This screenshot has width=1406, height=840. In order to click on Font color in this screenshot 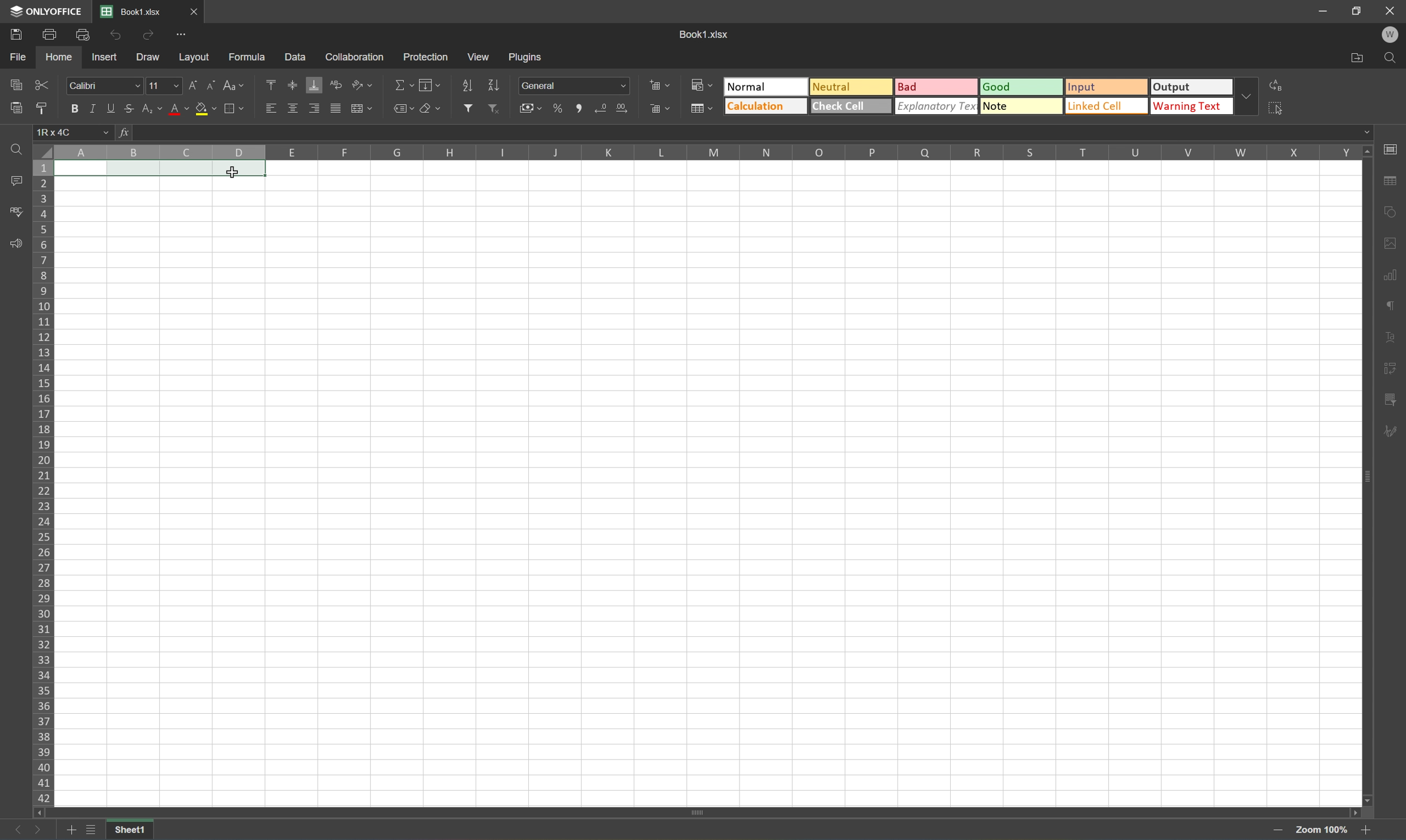, I will do `click(178, 109)`.